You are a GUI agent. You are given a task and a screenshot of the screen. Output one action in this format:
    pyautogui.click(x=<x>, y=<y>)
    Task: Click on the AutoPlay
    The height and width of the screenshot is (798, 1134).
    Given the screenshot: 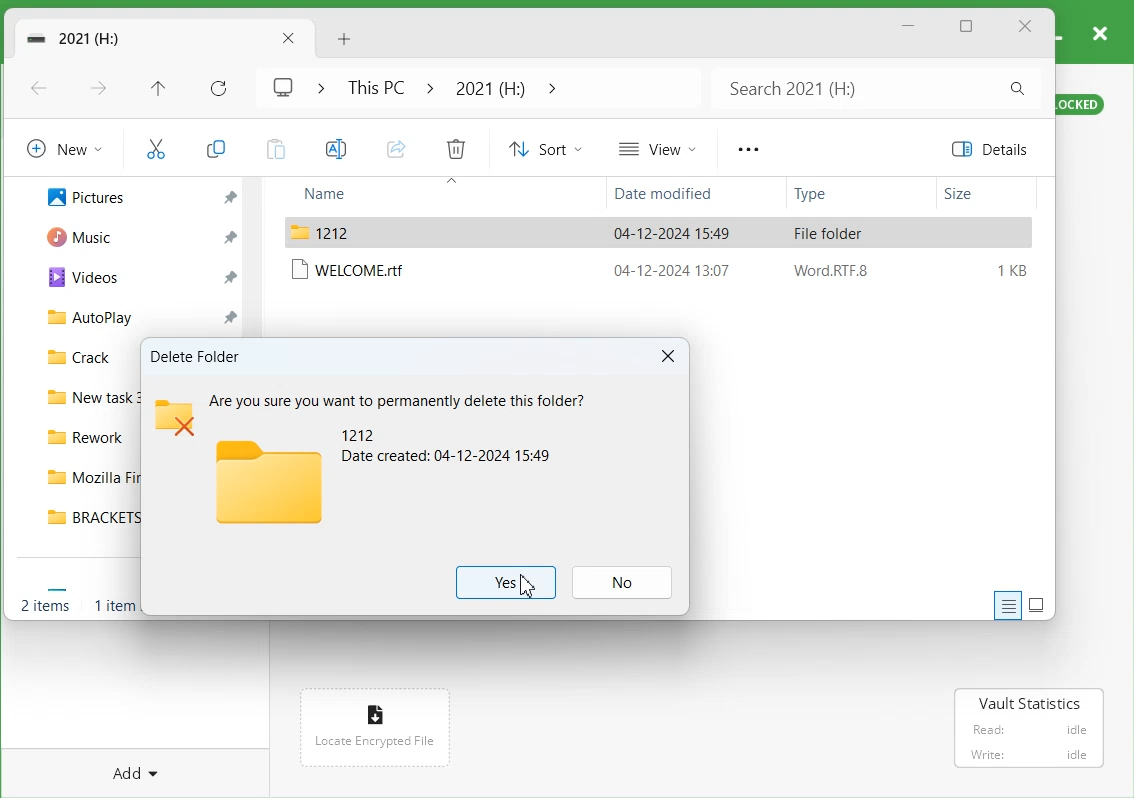 What is the action you would take?
    pyautogui.click(x=97, y=316)
    